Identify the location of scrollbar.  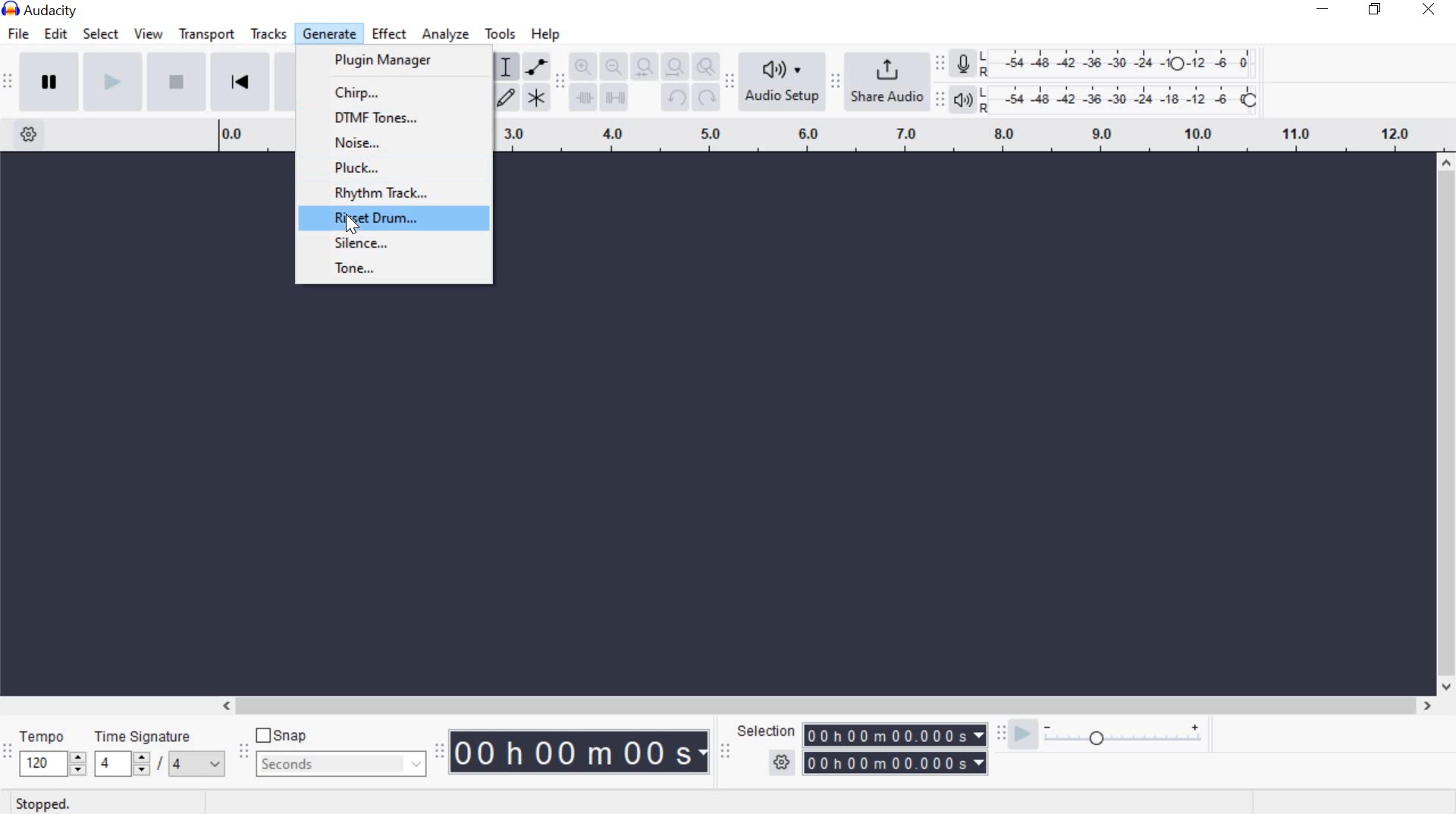
(1447, 426).